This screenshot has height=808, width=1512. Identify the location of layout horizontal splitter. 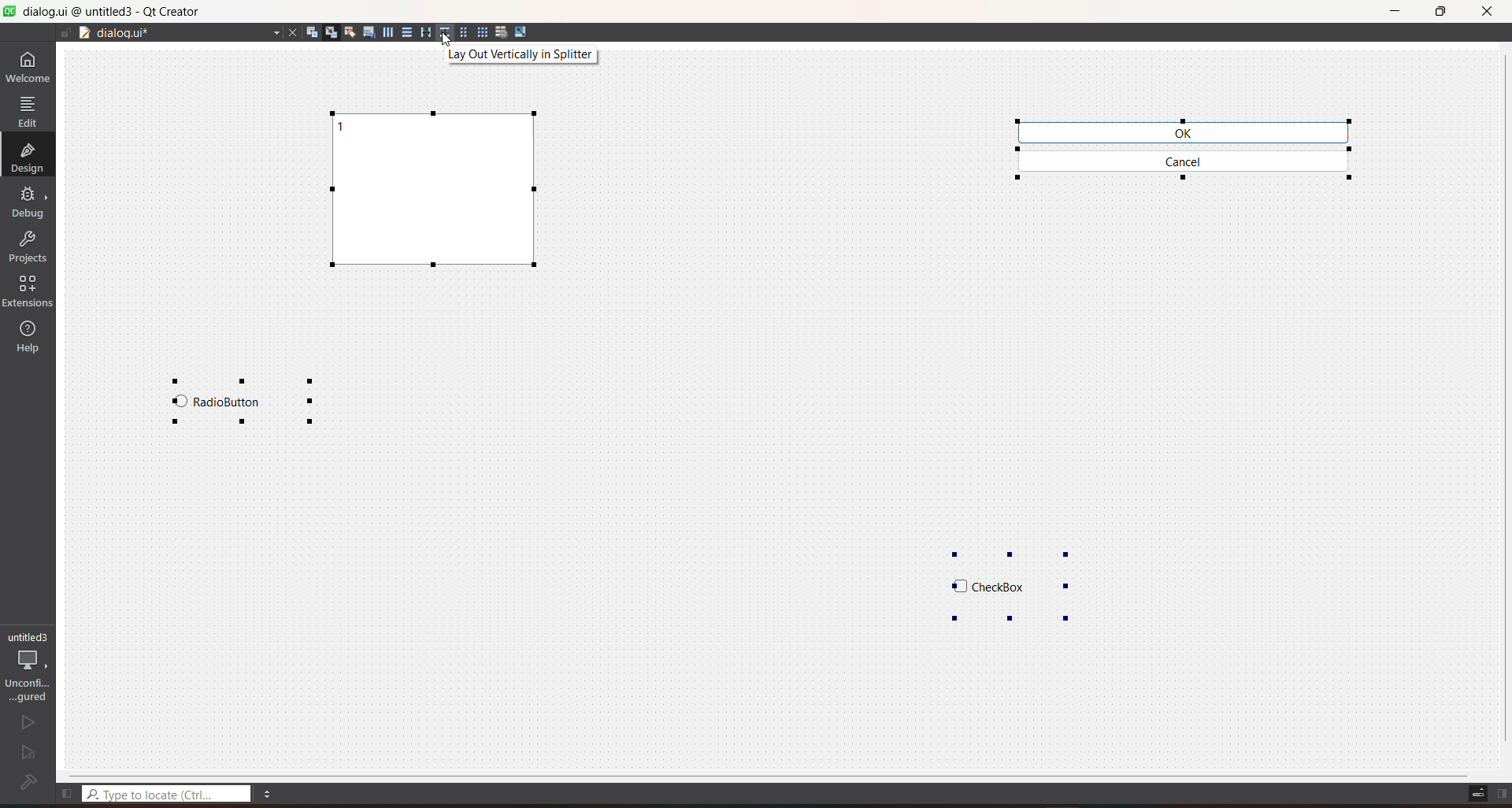
(423, 33).